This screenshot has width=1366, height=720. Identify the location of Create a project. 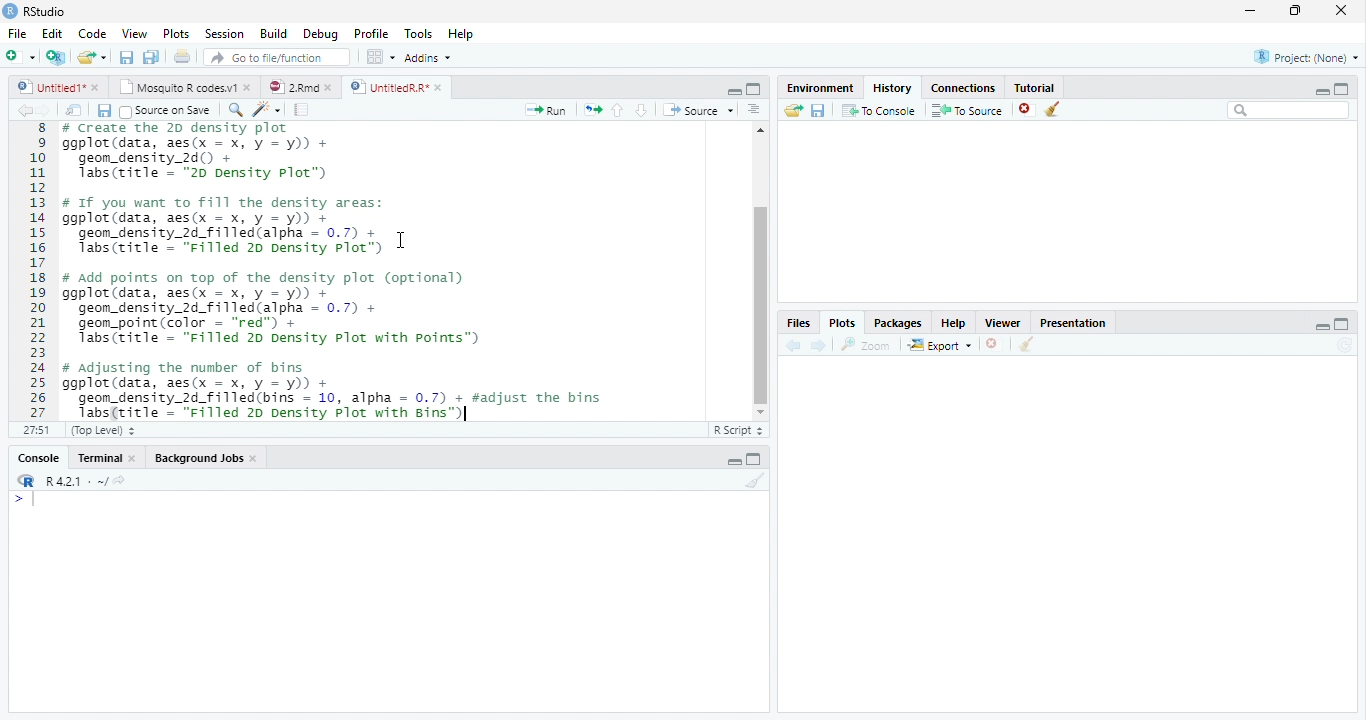
(55, 57).